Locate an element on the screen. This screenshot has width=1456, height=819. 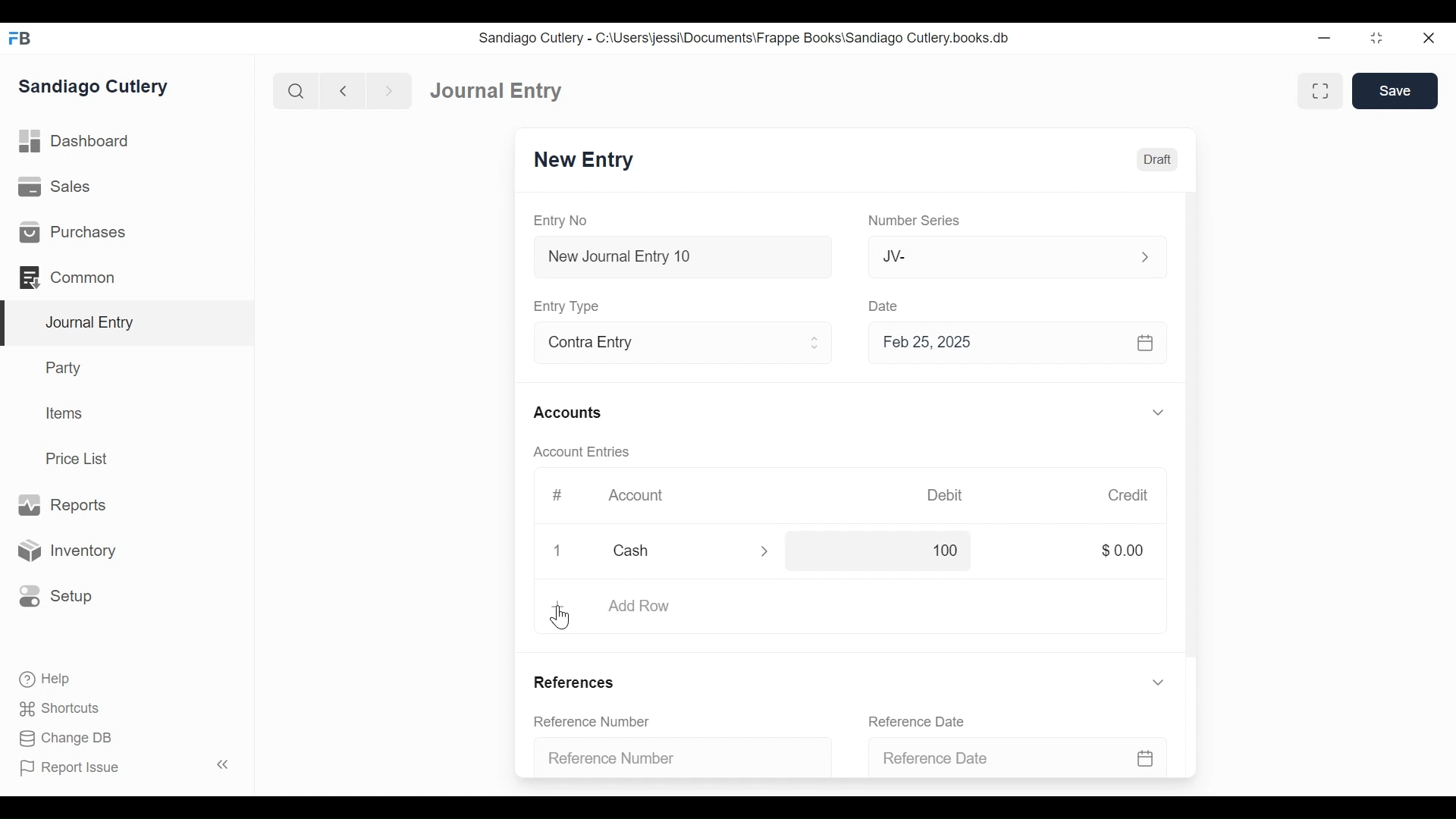
New Journal Entry 10 is located at coordinates (682, 256).